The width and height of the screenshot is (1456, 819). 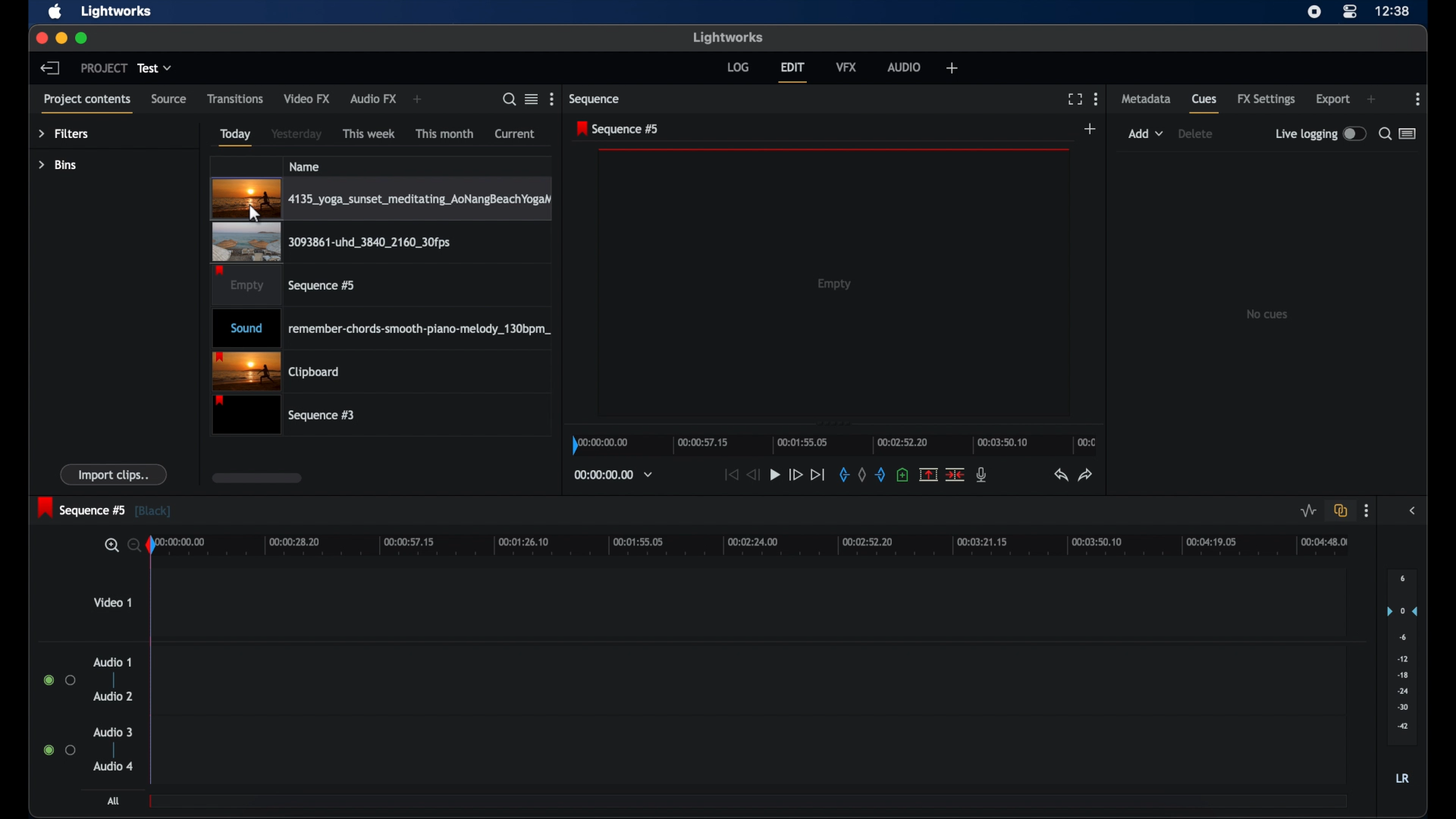 What do you see at coordinates (52, 68) in the screenshot?
I see `back` at bounding box center [52, 68].